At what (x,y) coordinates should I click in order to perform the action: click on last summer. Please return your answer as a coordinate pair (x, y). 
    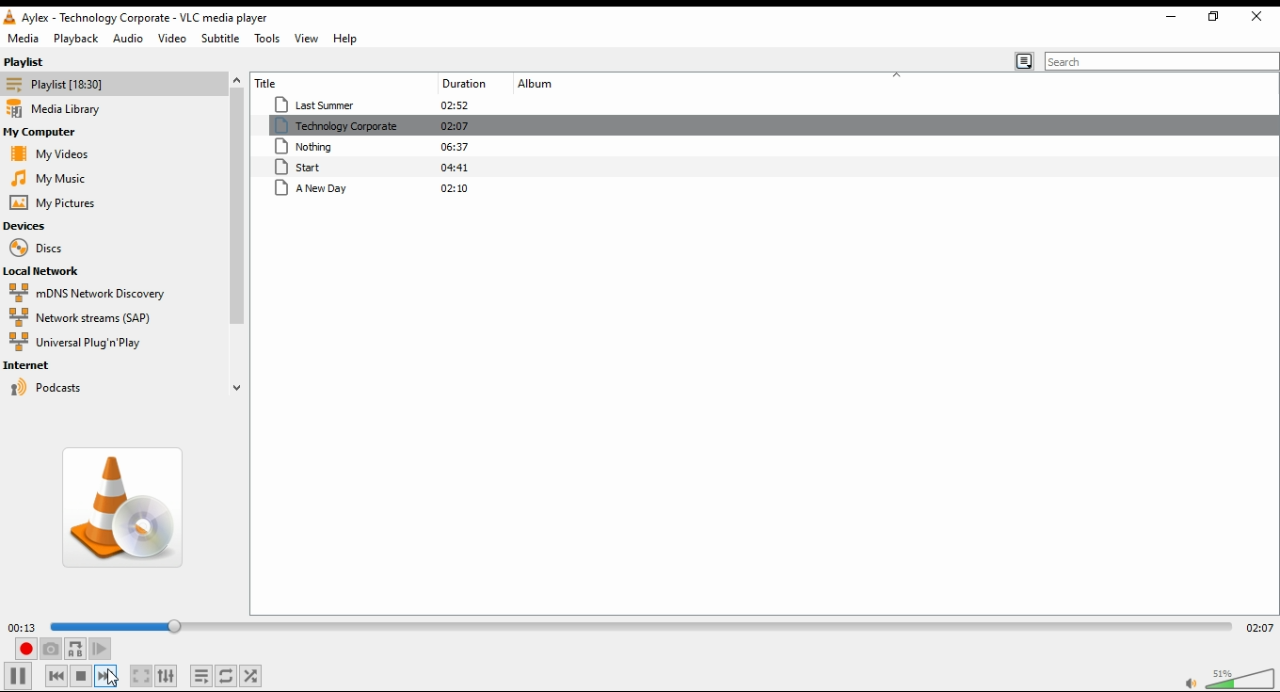
    Looking at the image, I should click on (377, 102).